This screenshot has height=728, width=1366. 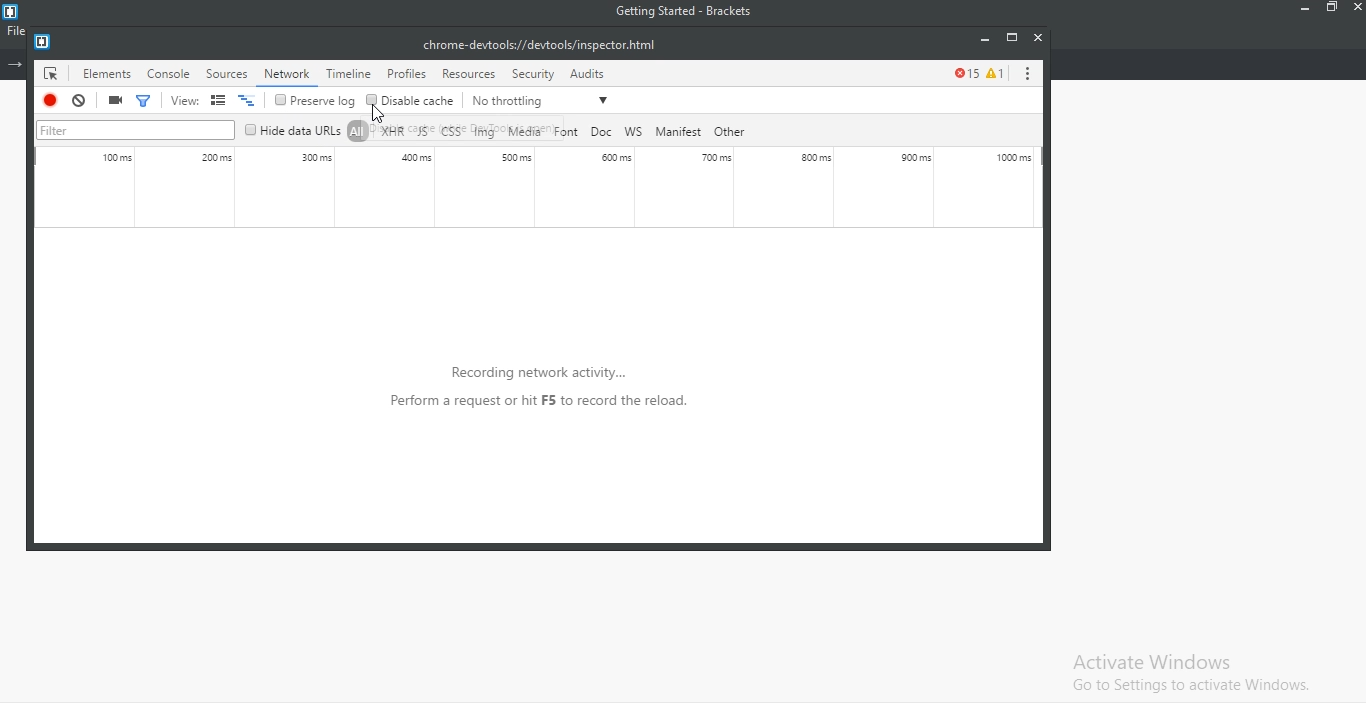 I want to click on no throttling, so click(x=542, y=99).